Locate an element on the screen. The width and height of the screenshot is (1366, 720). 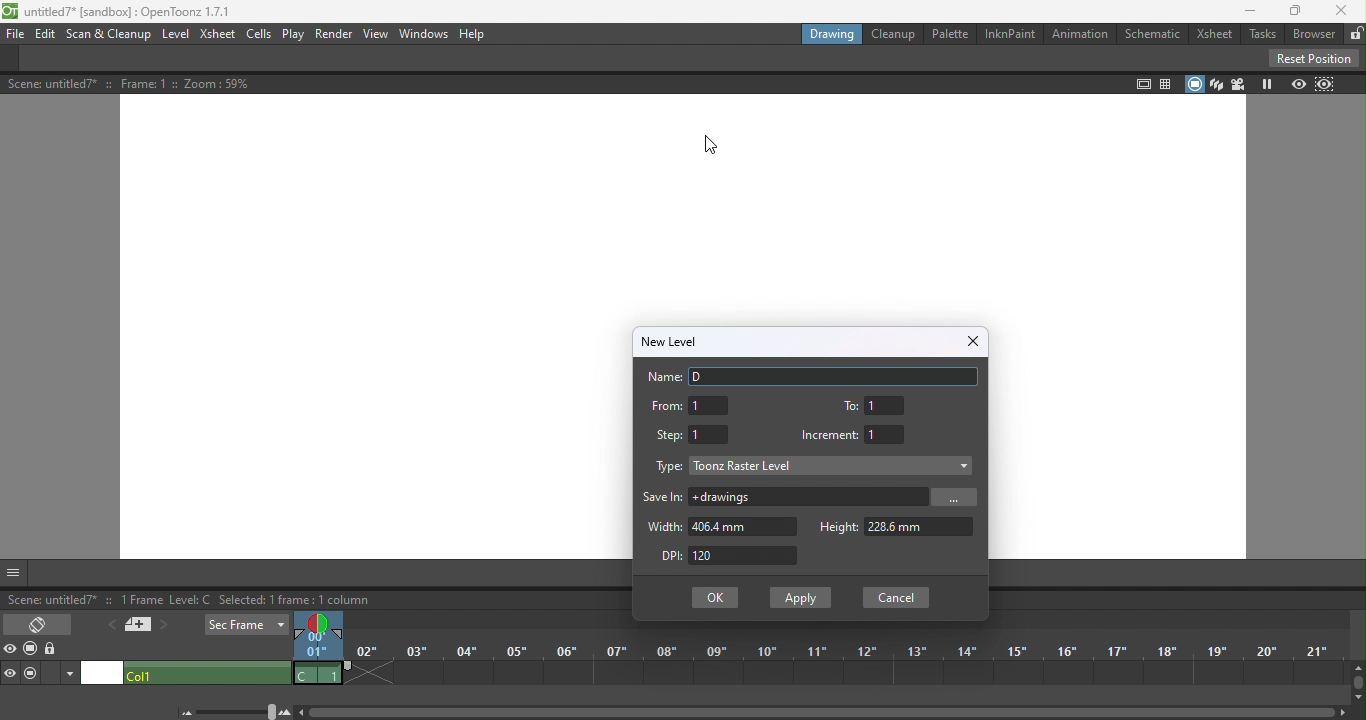
address is located at coordinates (810, 498).